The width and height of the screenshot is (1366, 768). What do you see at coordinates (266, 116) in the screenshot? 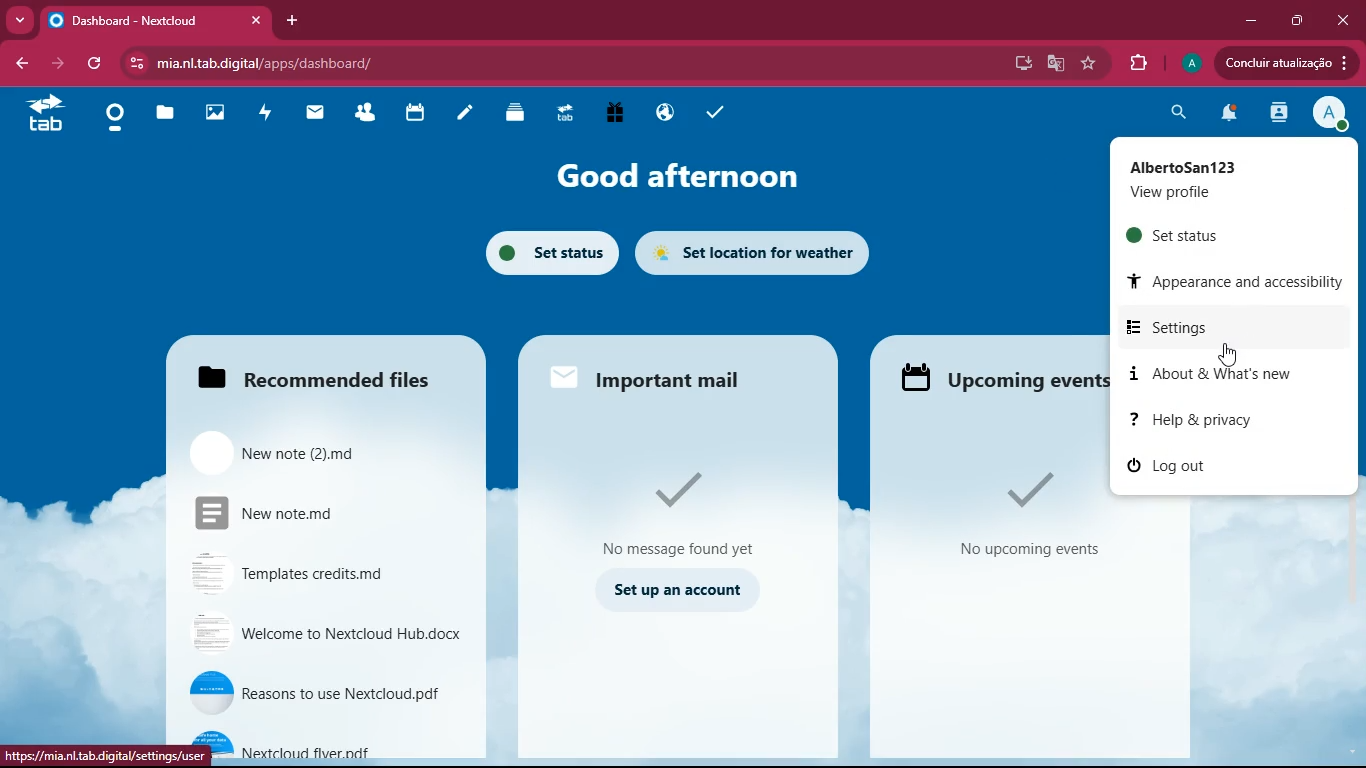
I see `activity` at bounding box center [266, 116].